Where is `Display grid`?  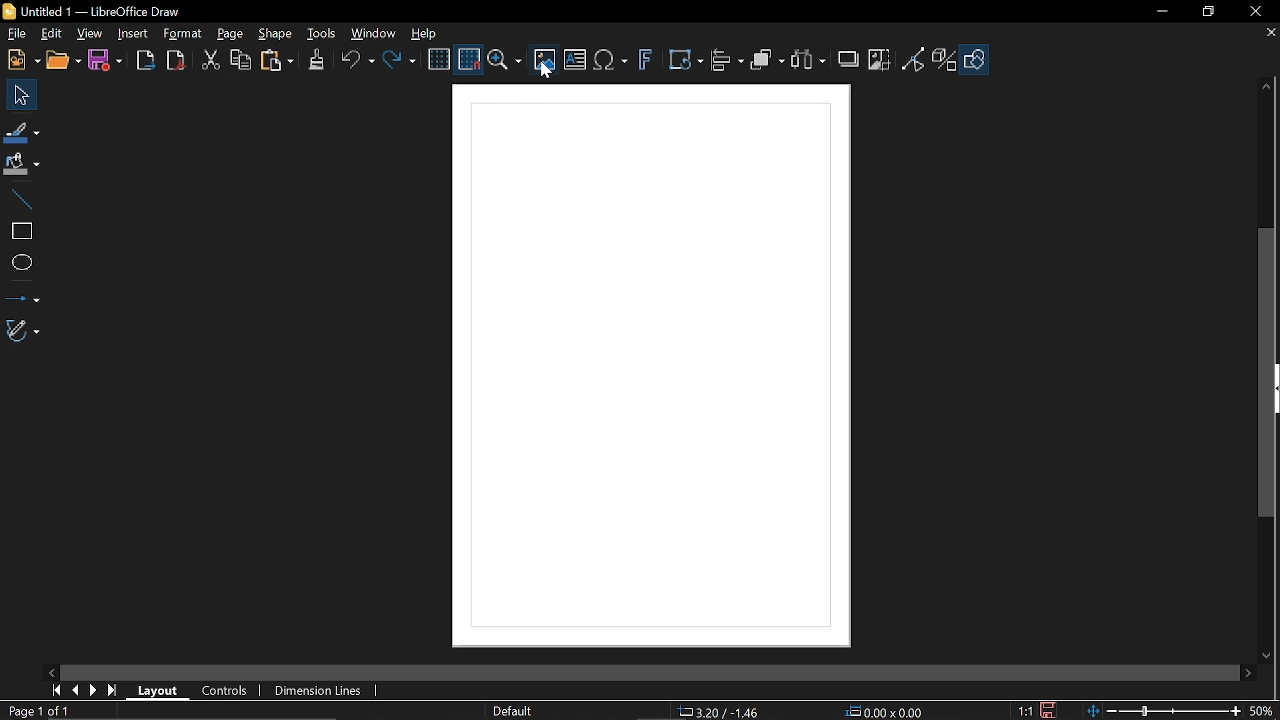
Display grid is located at coordinates (439, 59).